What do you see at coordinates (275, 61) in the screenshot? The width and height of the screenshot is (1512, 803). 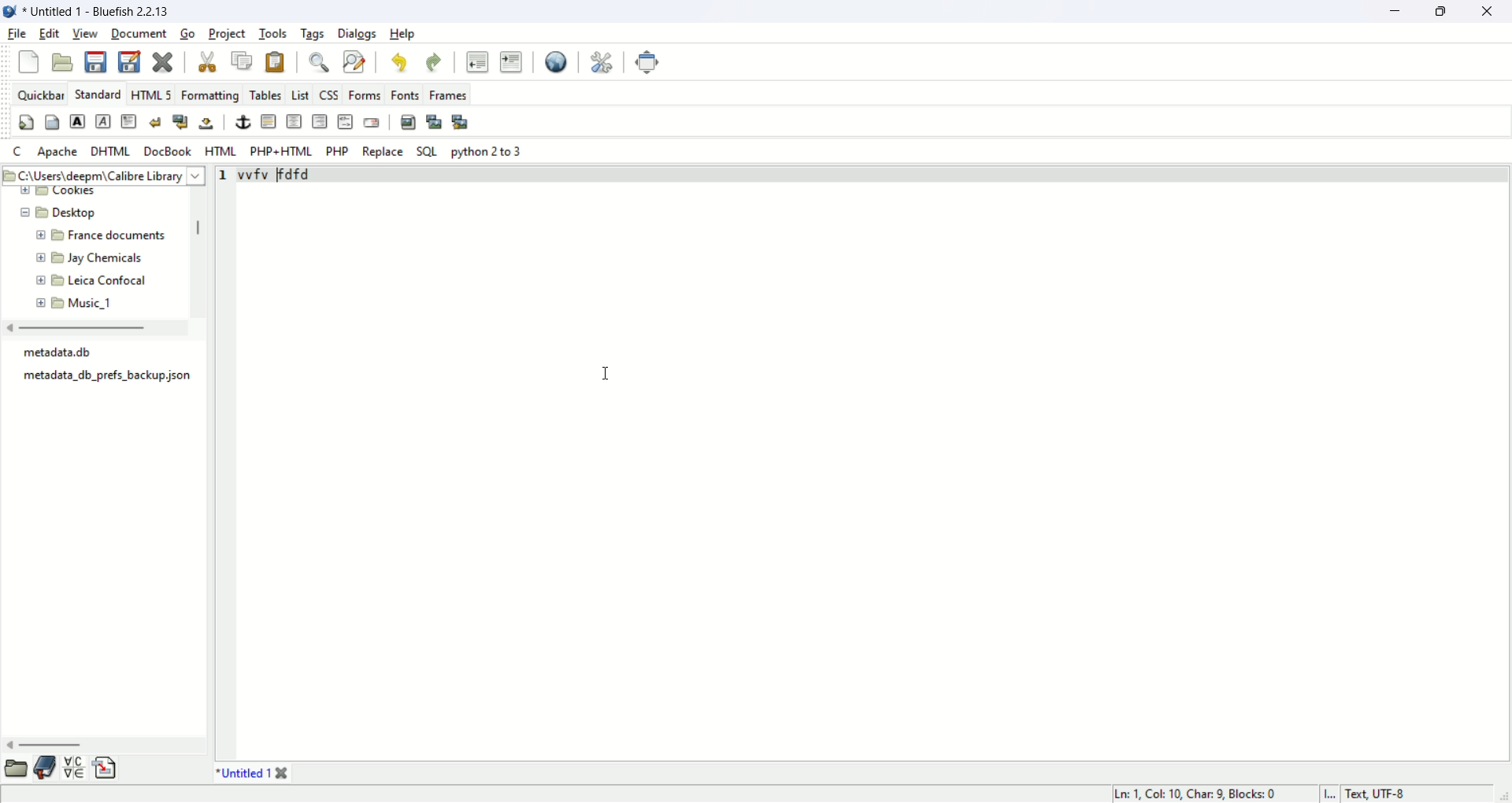 I see `paste` at bounding box center [275, 61].